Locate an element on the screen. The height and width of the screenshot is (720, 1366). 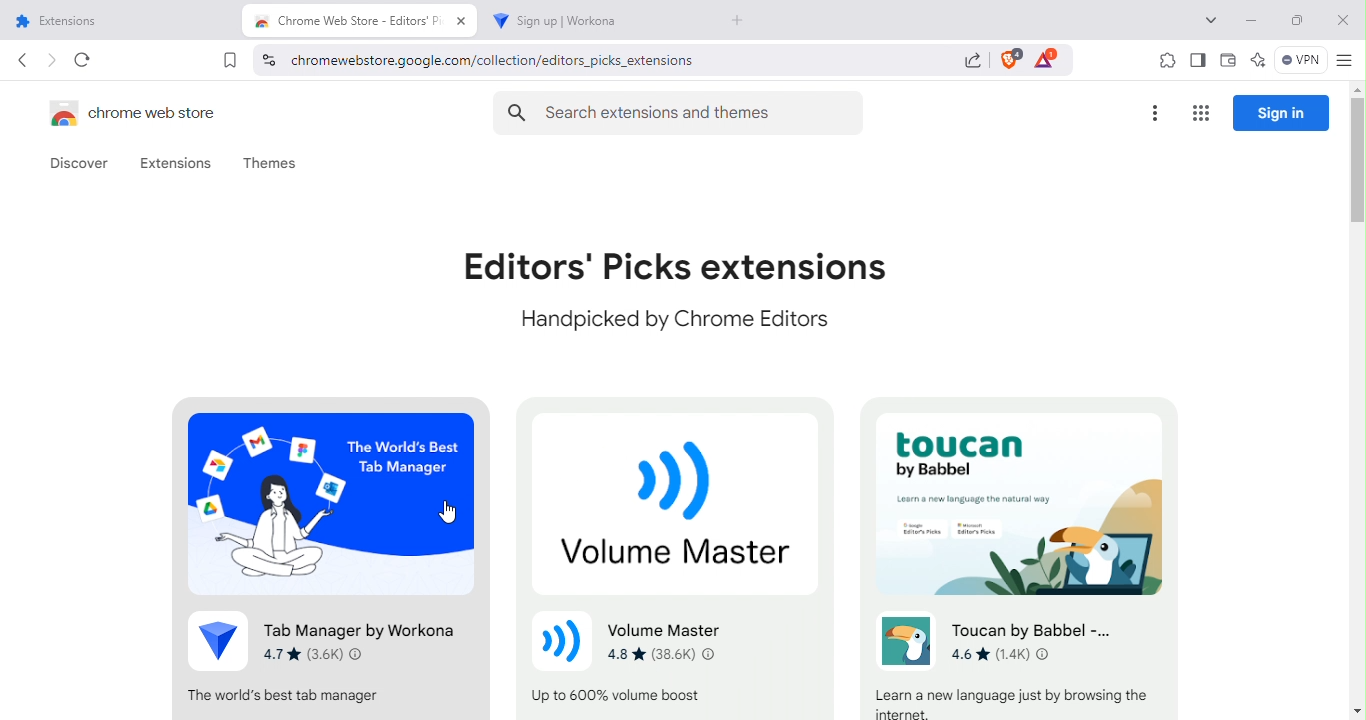
Share this page is located at coordinates (972, 64).